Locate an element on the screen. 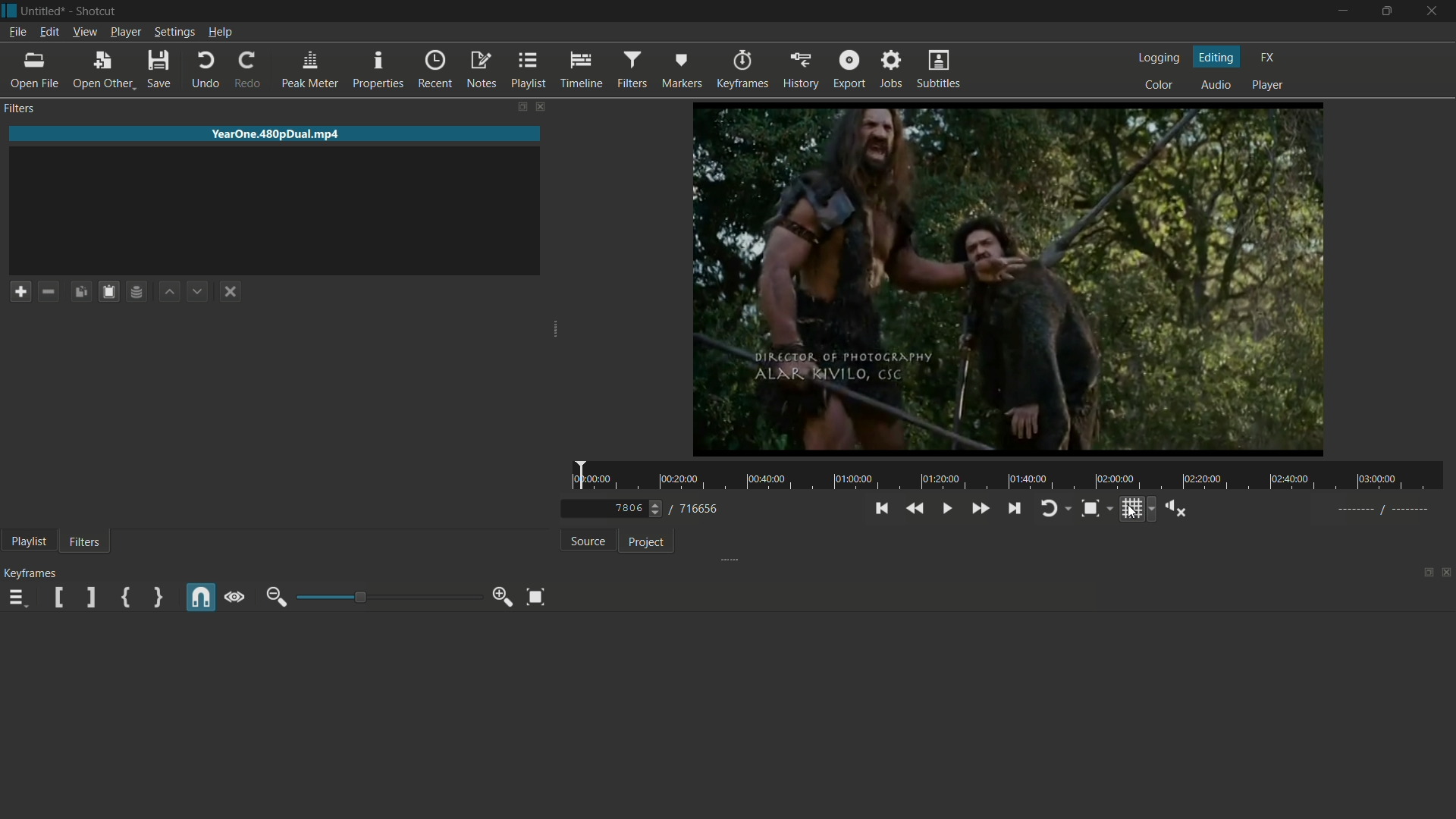  zoom timeline to fit is located at coordinates (536, 597).